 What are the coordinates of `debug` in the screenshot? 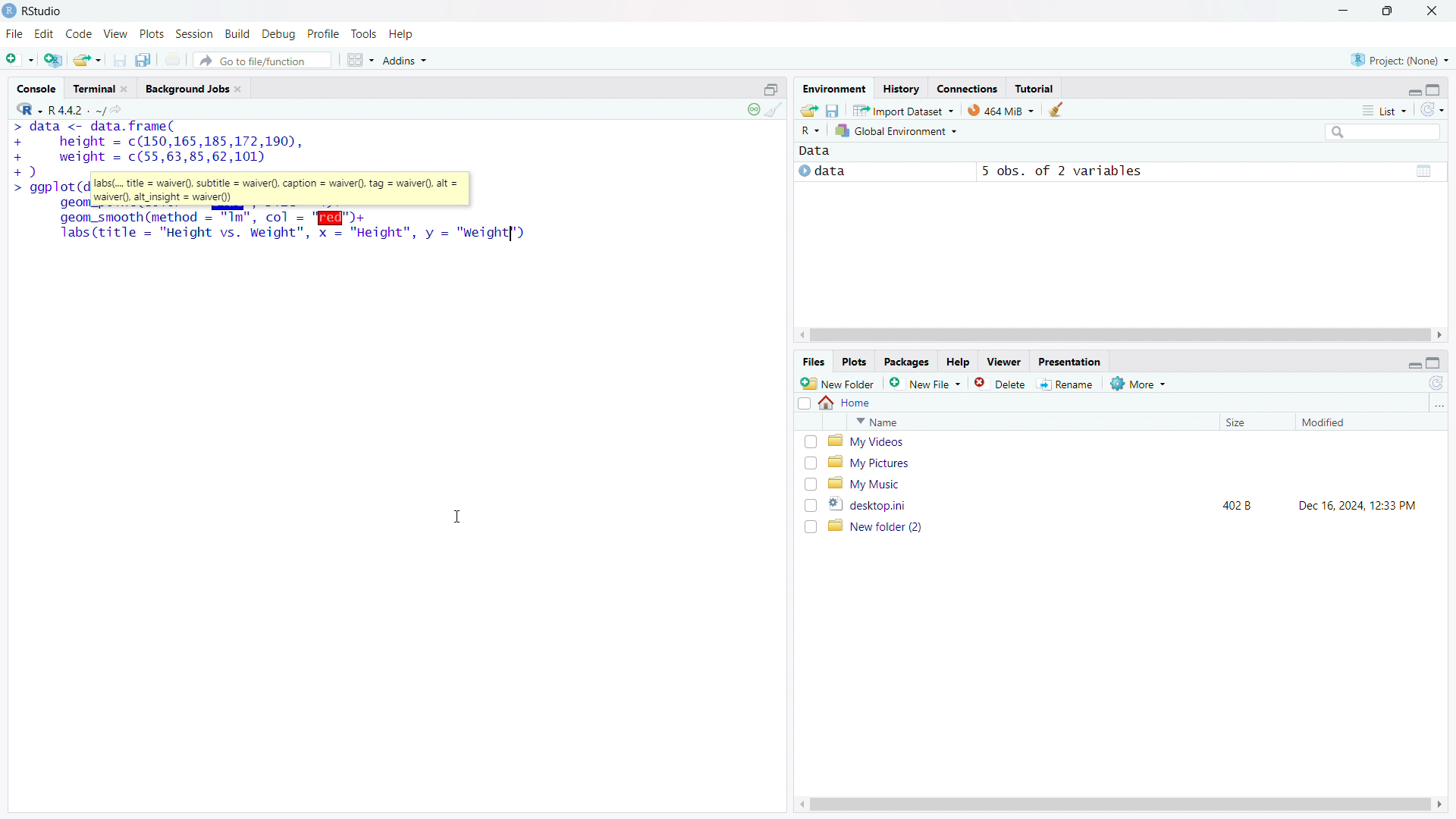 It's located at (279, 34).